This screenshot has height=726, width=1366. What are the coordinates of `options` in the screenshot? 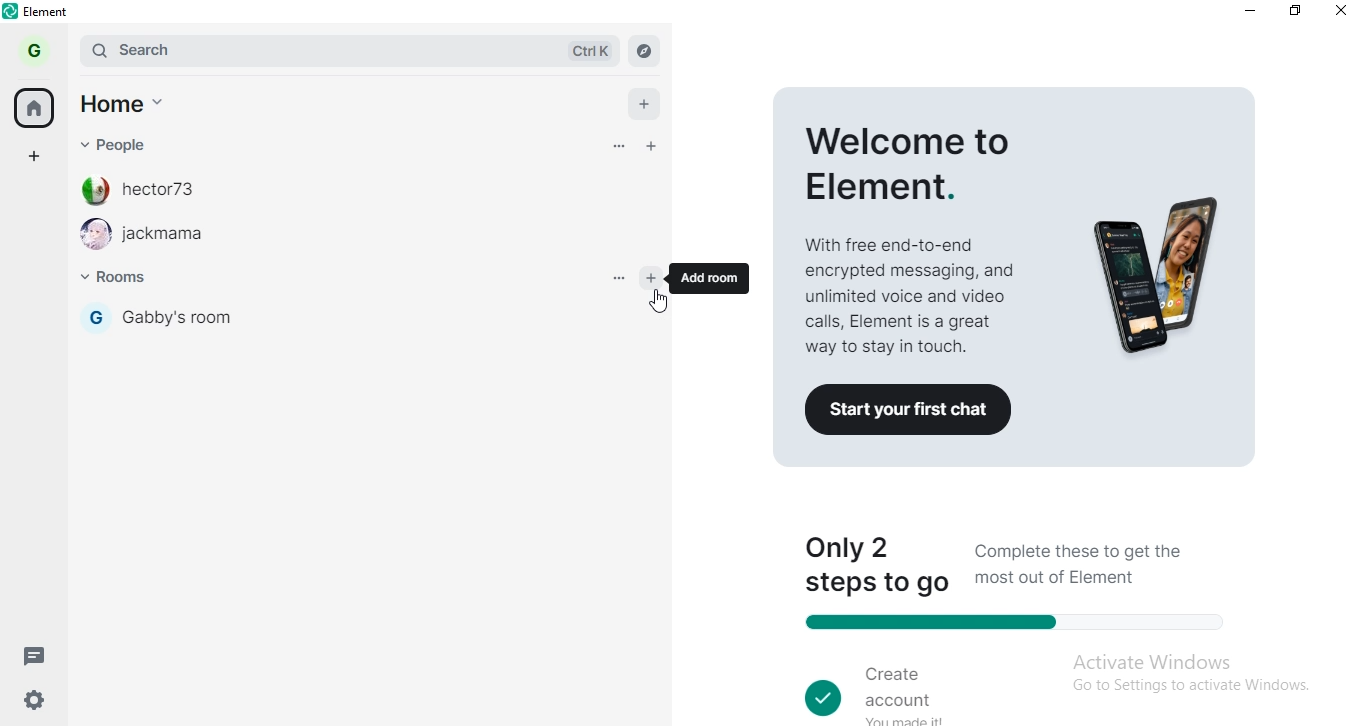 It's located at (617, 275).